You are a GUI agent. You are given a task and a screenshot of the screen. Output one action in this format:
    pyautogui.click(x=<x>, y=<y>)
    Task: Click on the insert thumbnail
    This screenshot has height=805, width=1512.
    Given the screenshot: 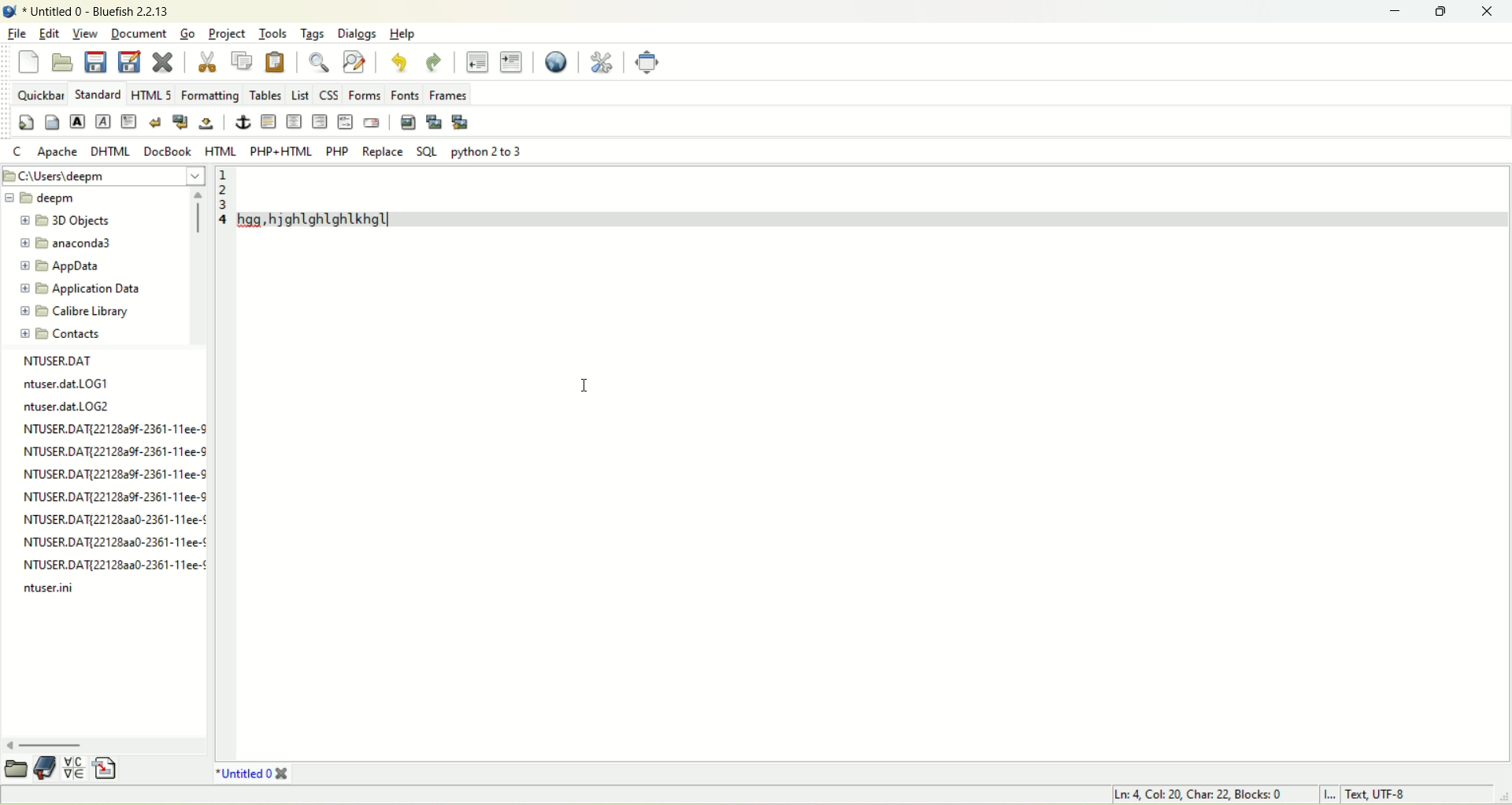 What is the action you would take?
    pyautogui.click(x=435, y=124)
    